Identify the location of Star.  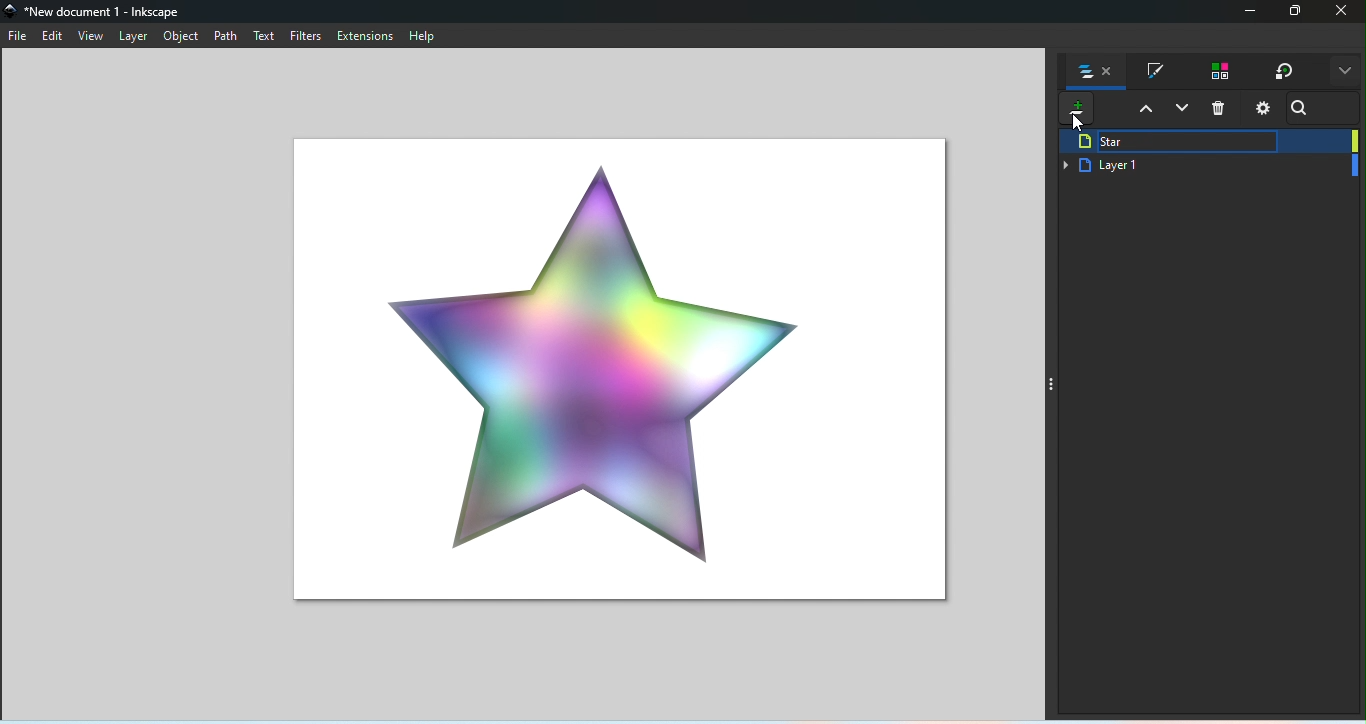
(1210, 142).